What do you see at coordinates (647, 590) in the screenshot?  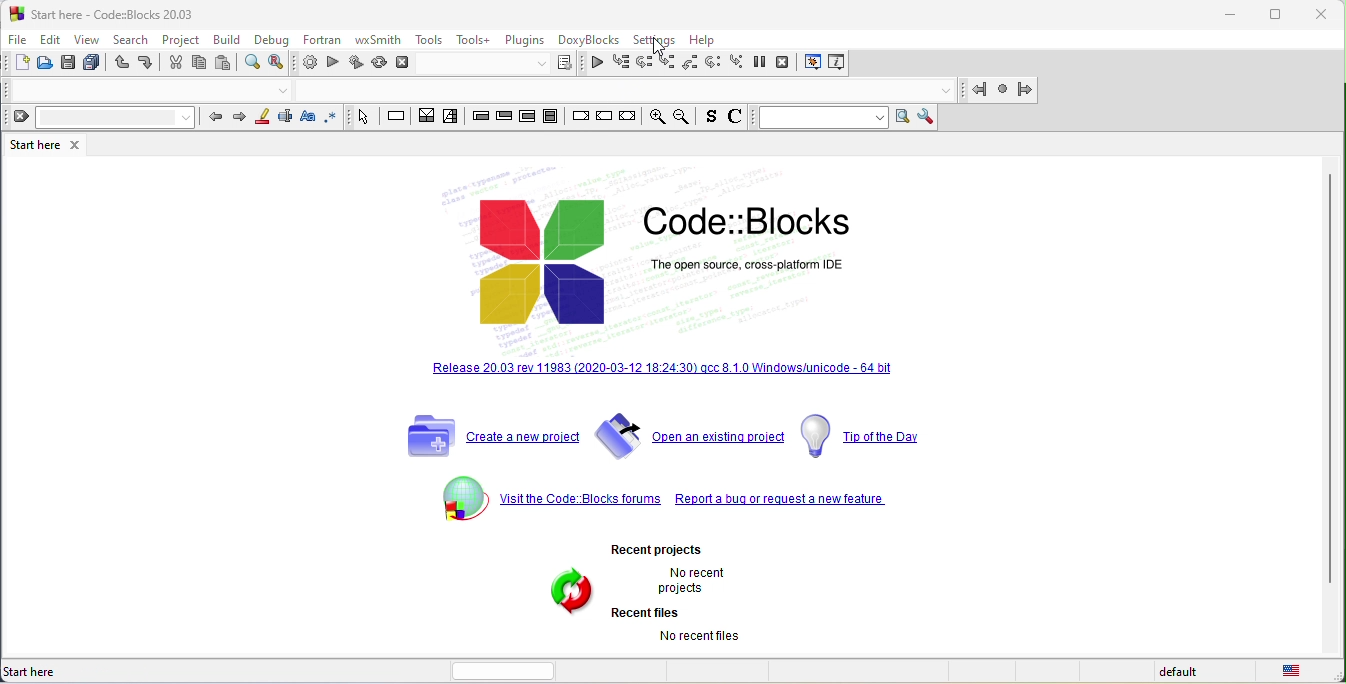 I see `recent projects` at bounding box center [647, 590].